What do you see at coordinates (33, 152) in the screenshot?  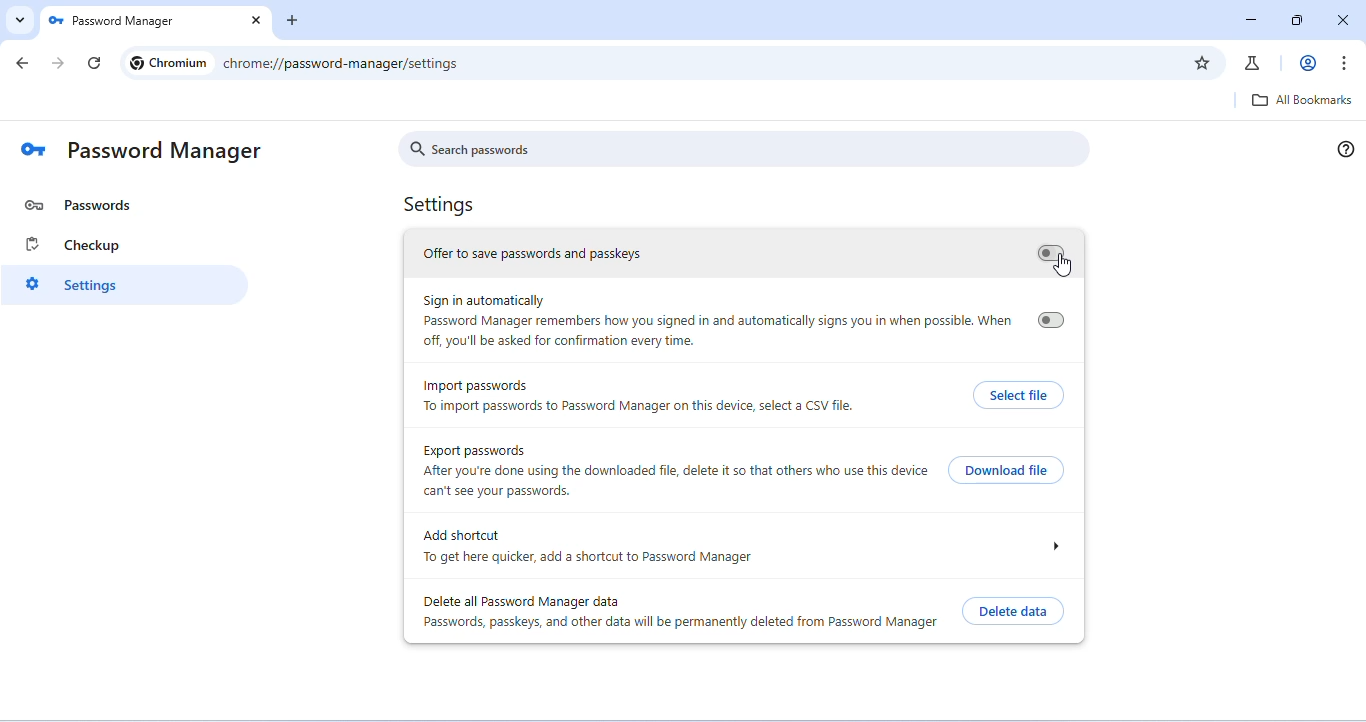 I see `logo` at bounding box center [33, 152].